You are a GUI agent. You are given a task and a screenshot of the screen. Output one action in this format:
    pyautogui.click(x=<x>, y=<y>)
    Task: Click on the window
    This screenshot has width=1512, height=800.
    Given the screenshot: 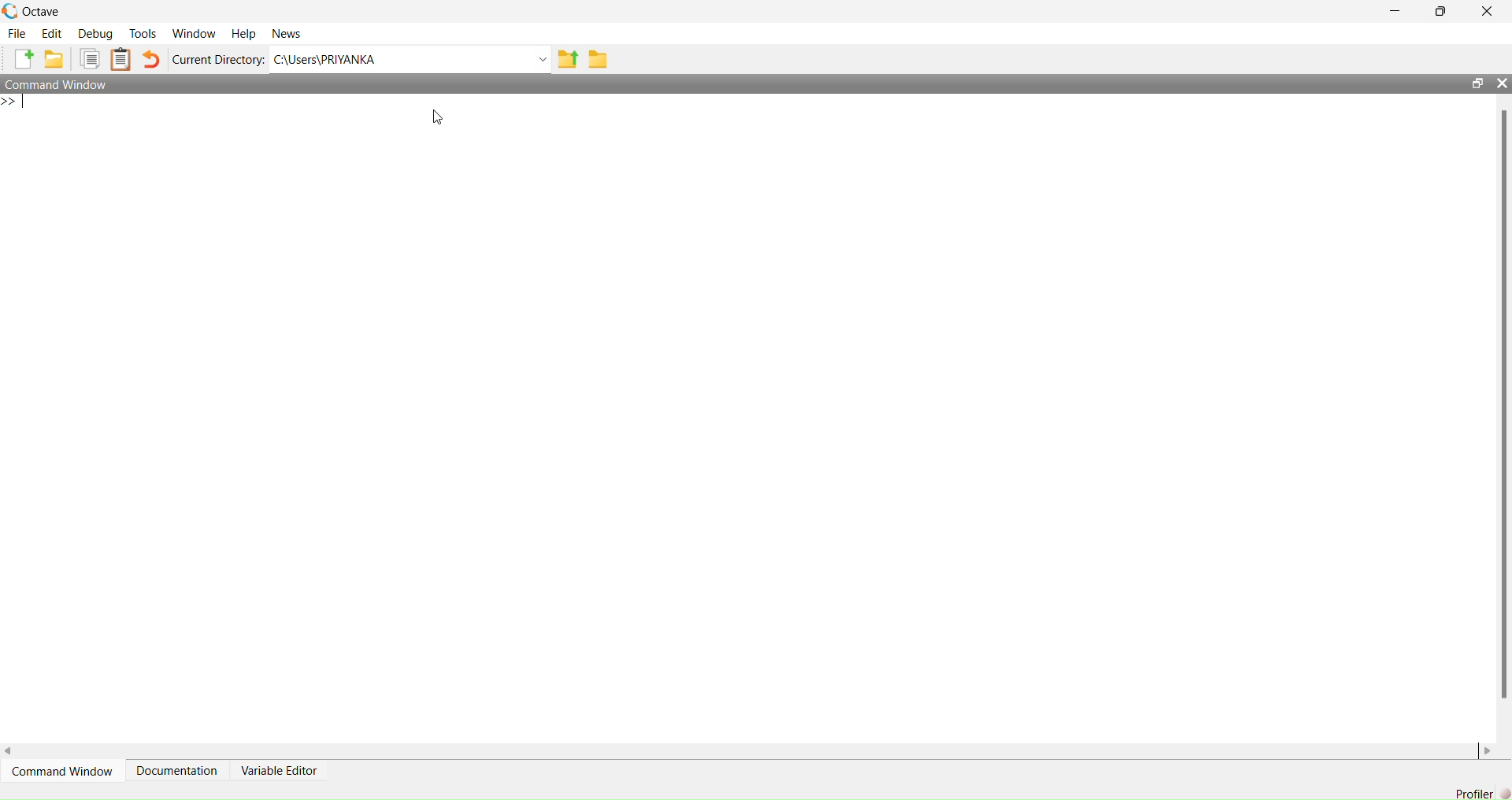 What is the action you would take?
    pyautogui.click(x=196, y=35)
    